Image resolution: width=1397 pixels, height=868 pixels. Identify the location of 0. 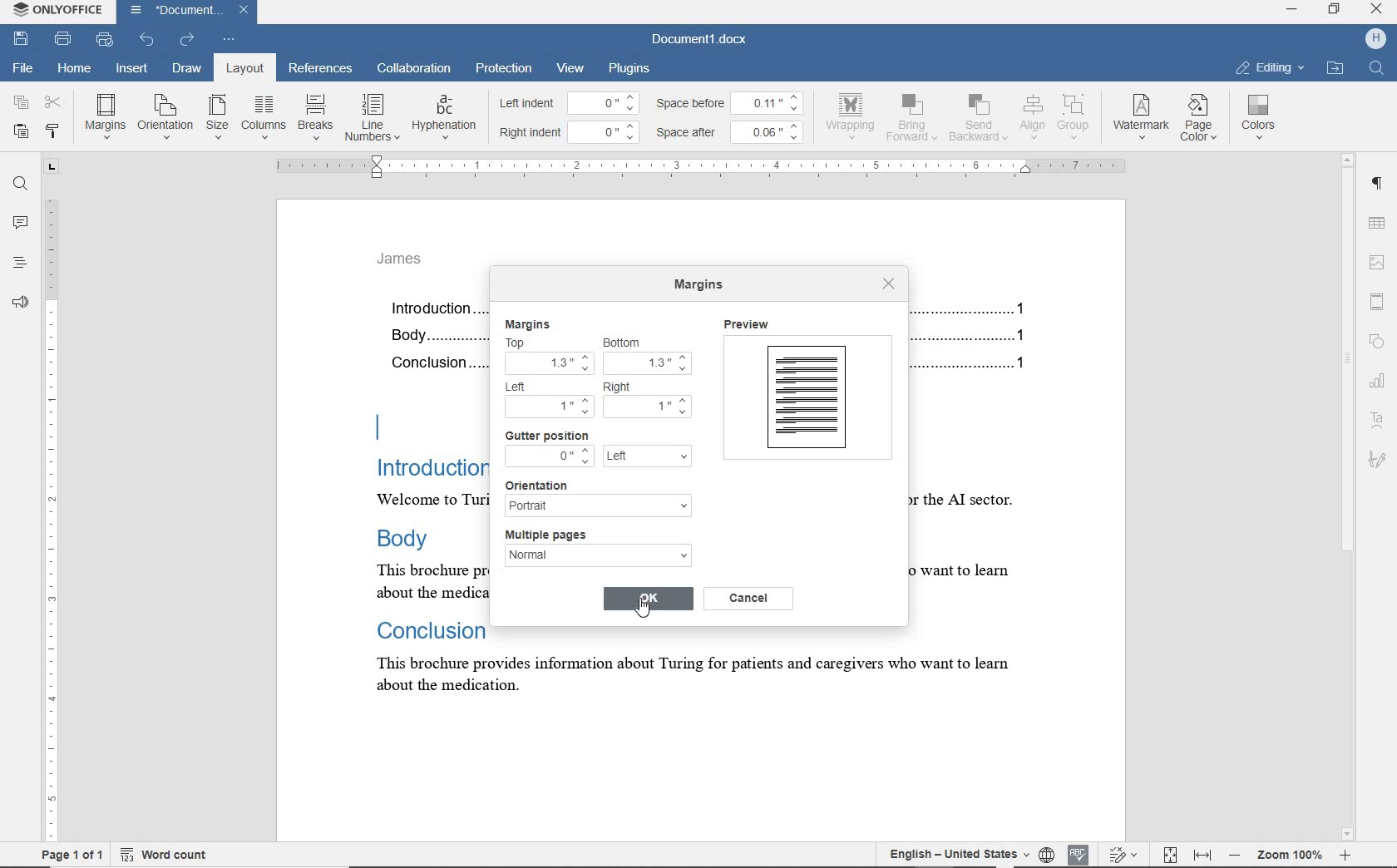
(549, 456).